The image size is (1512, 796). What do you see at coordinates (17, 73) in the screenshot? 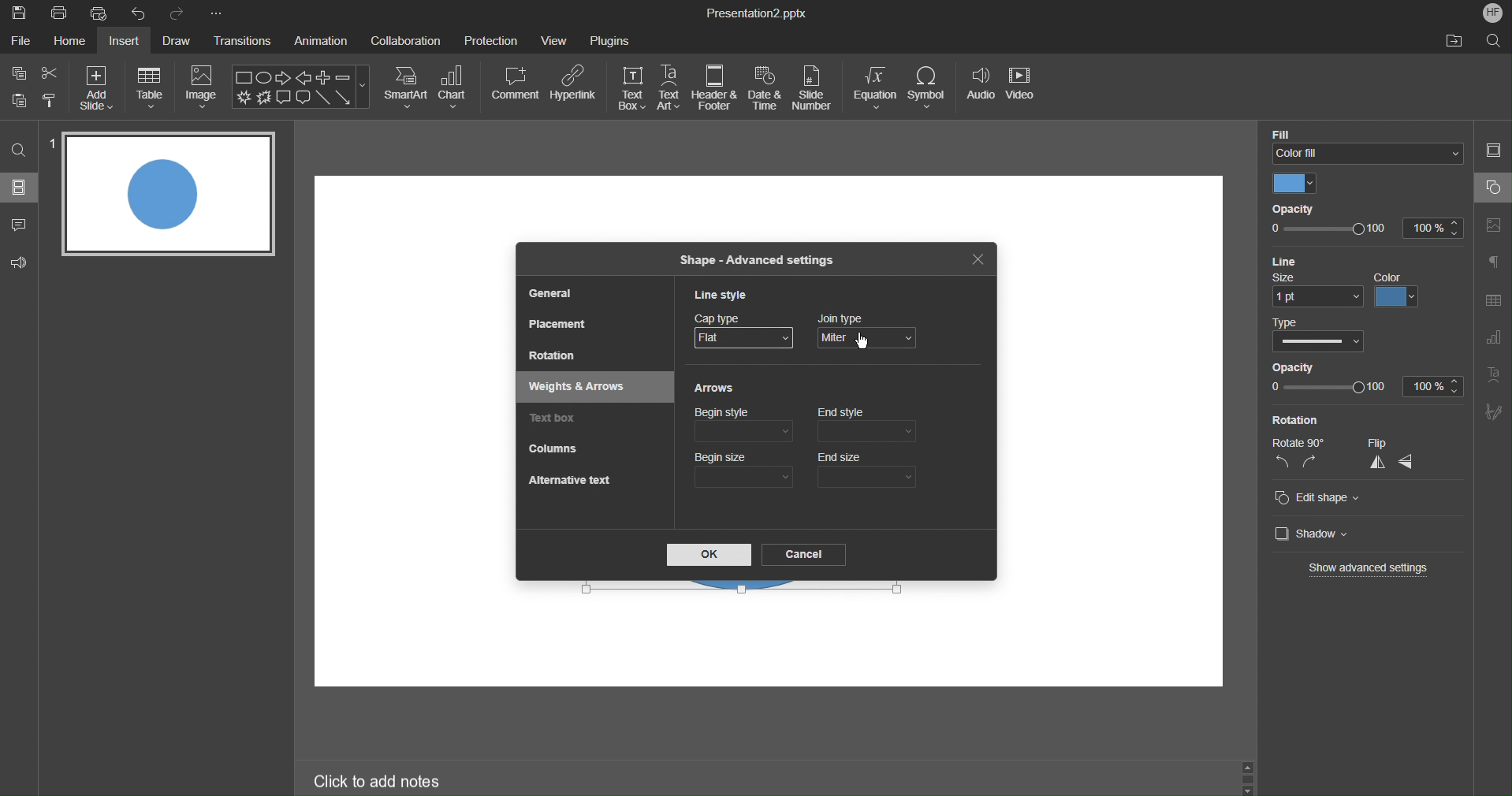
I see `Copy` at bounding box center [17, 73].